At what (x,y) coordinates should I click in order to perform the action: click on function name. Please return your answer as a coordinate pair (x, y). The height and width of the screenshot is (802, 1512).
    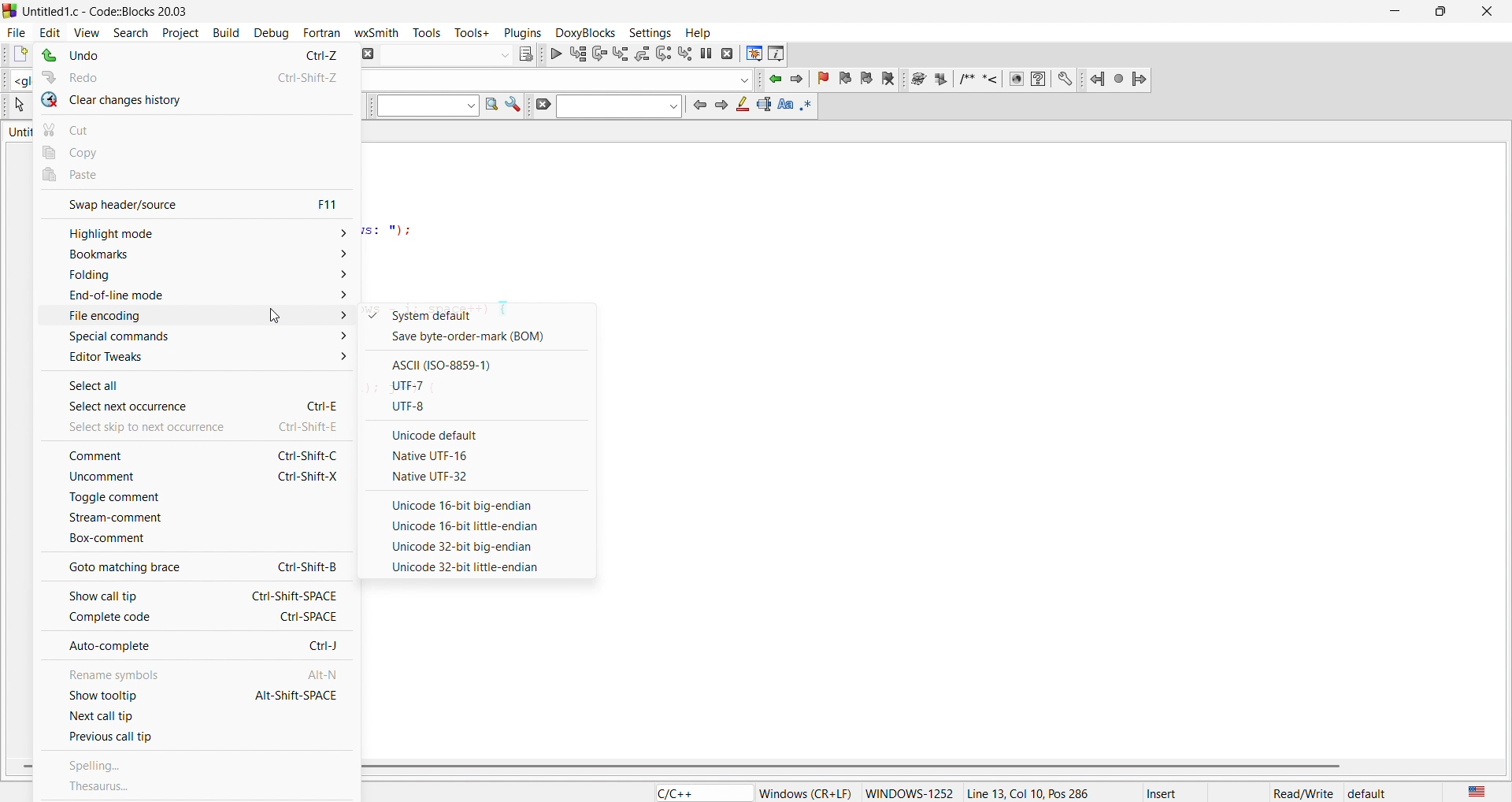
    Looking at the image, I should click on (561, 80).